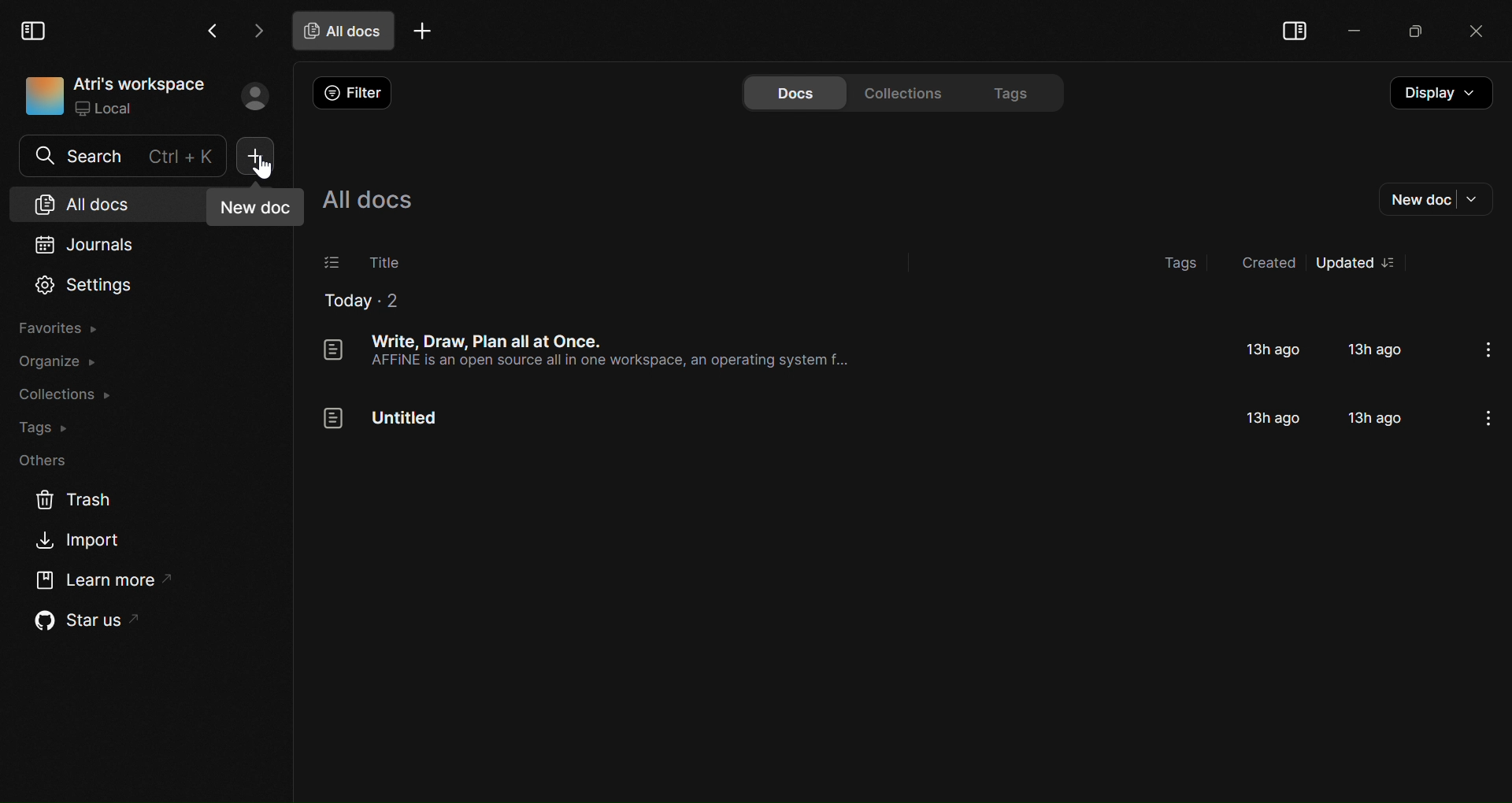 The height and width of the screenshot is (803, 1512). Describe the element at coordinates (86, 285) in the screenshot. I see `Settings` at that location.